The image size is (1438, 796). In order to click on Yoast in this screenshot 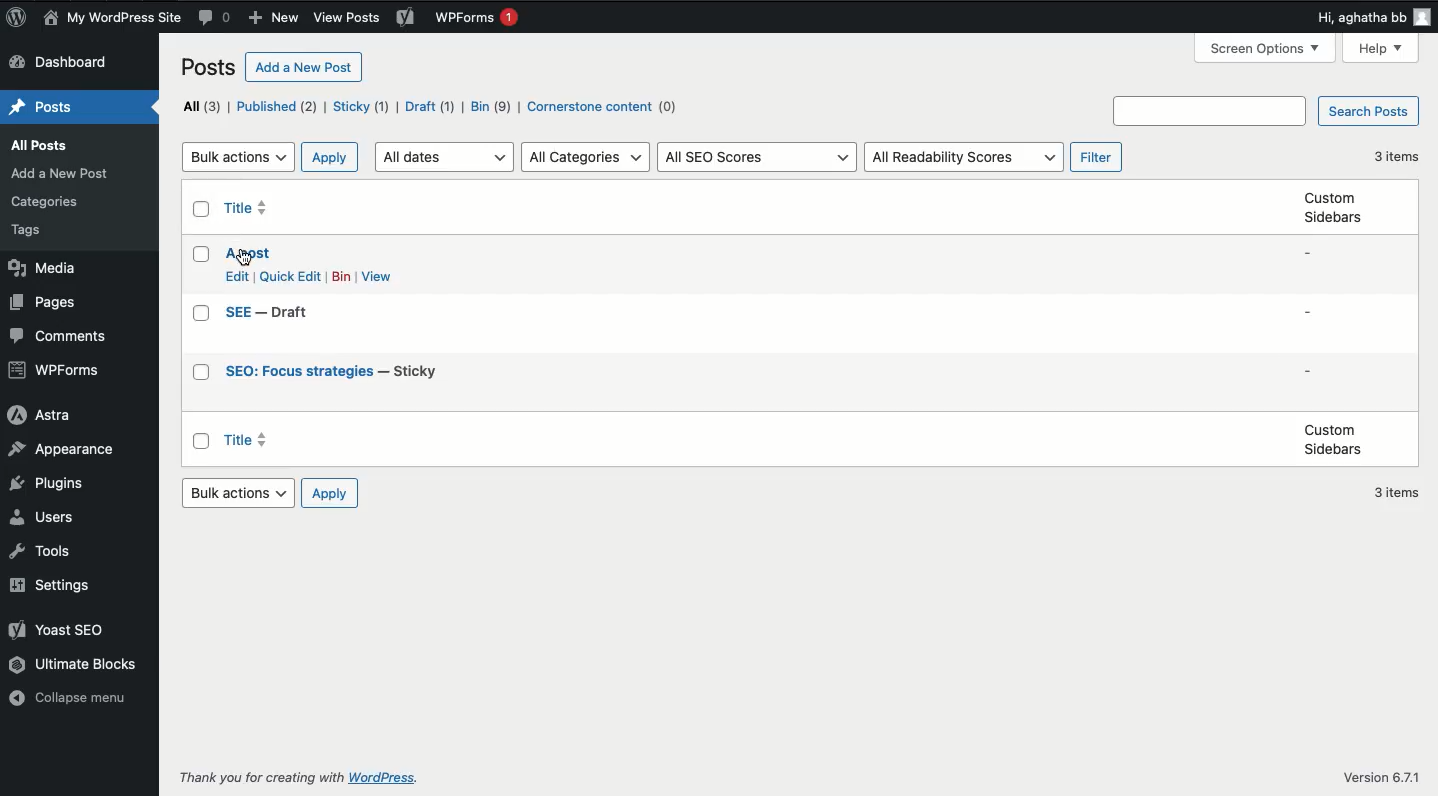, I will do `click(411, 18)`.